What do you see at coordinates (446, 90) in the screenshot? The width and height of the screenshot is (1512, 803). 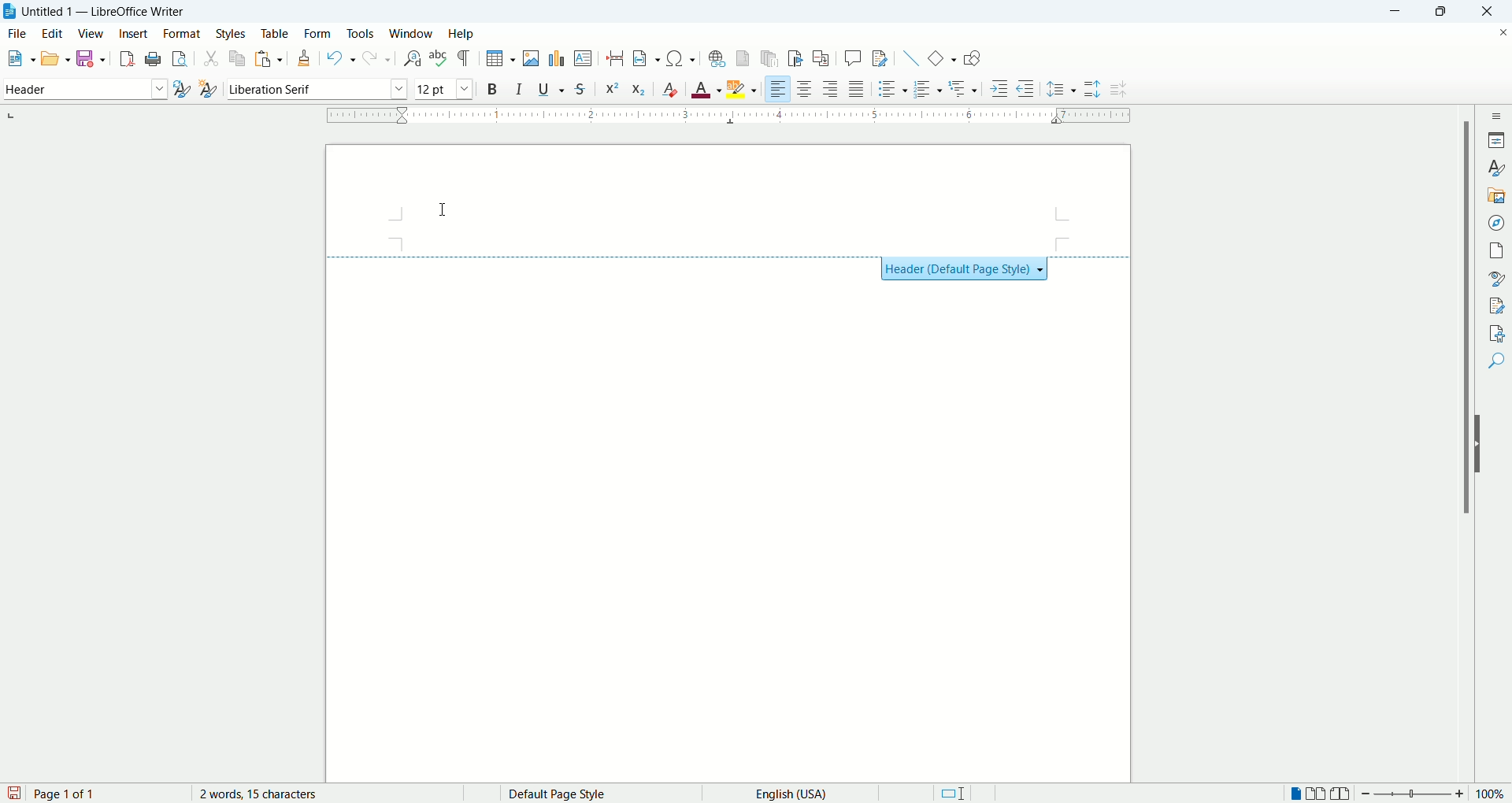 I see `font size` at bounding box center [446, 90].